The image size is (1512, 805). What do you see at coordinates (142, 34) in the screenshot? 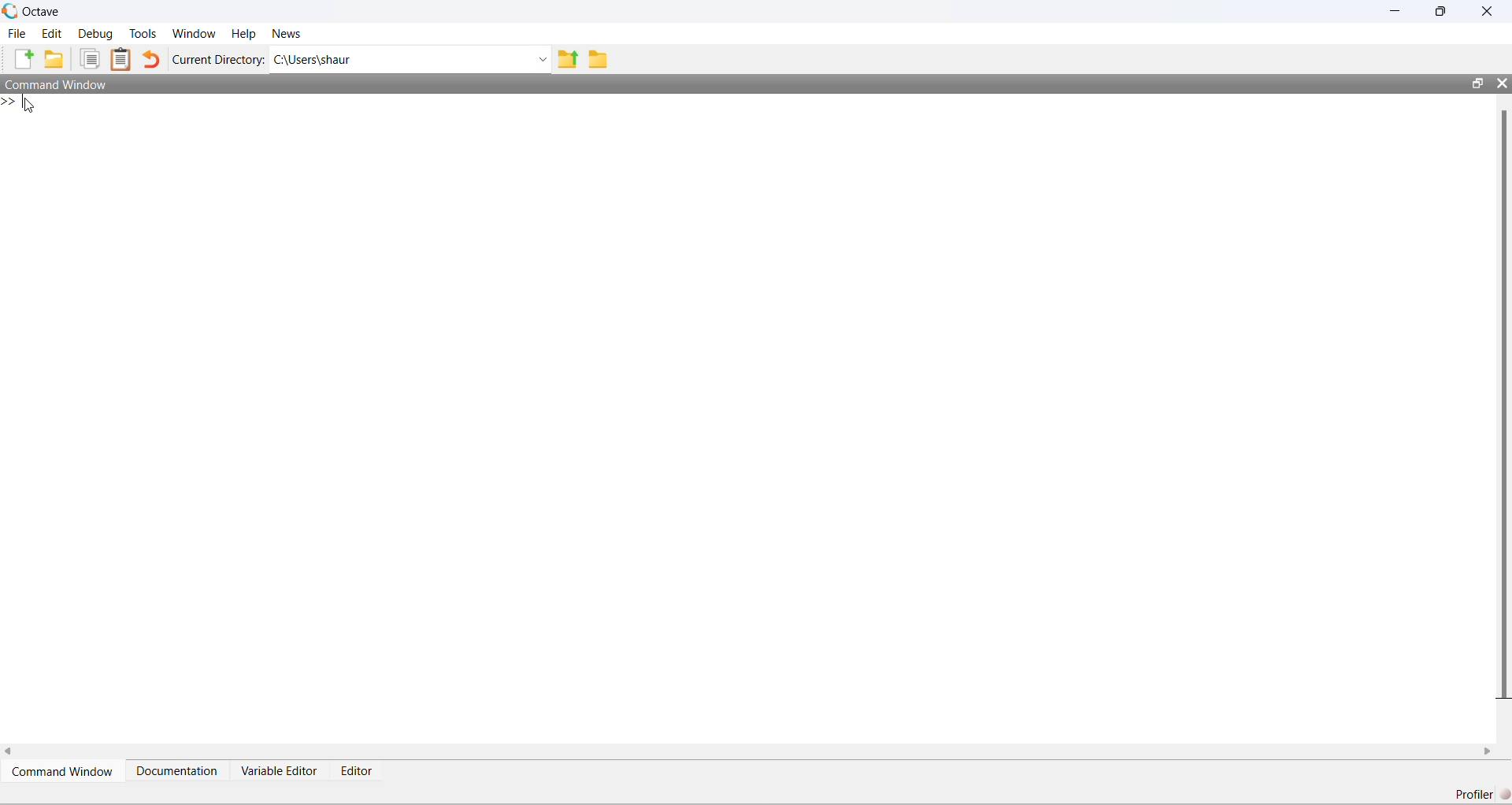
I see `Tools` at bounding box center [142, 34].